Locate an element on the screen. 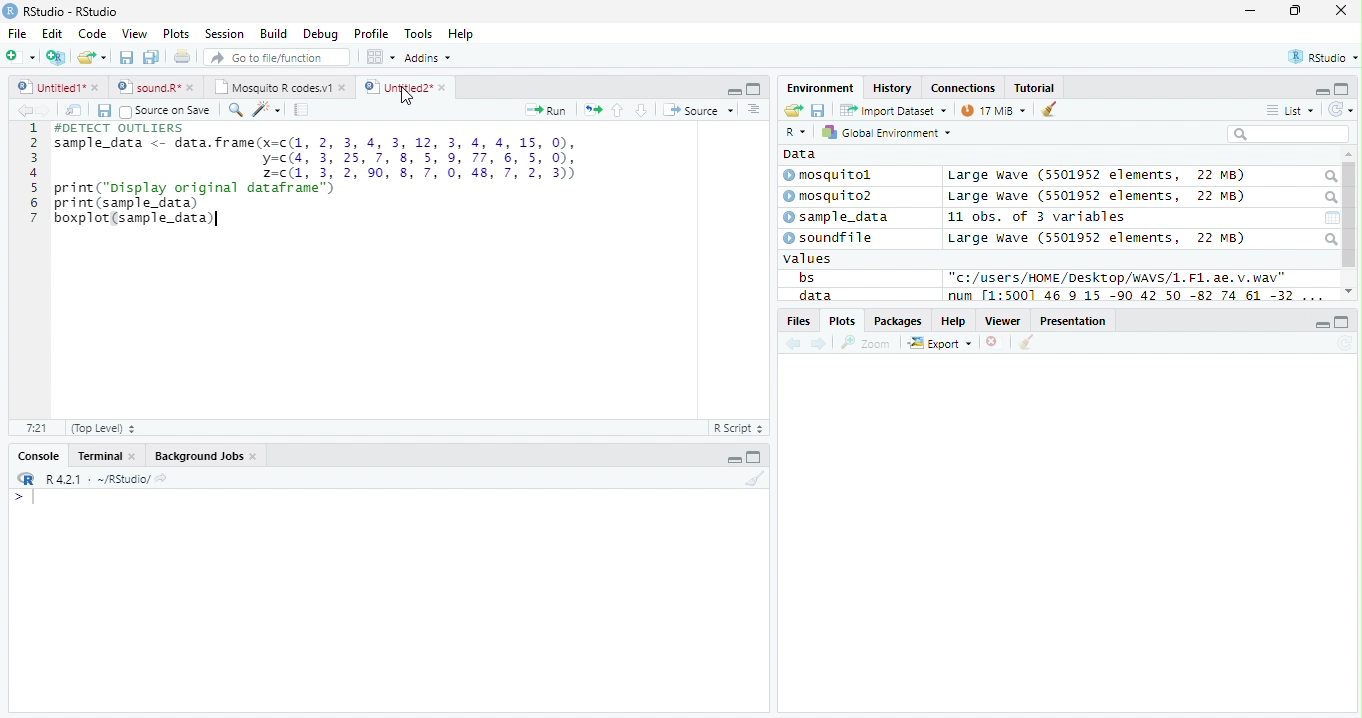 The width and height of the screenshot is (1362, 718). Tools is located at coordinates (418, 35).